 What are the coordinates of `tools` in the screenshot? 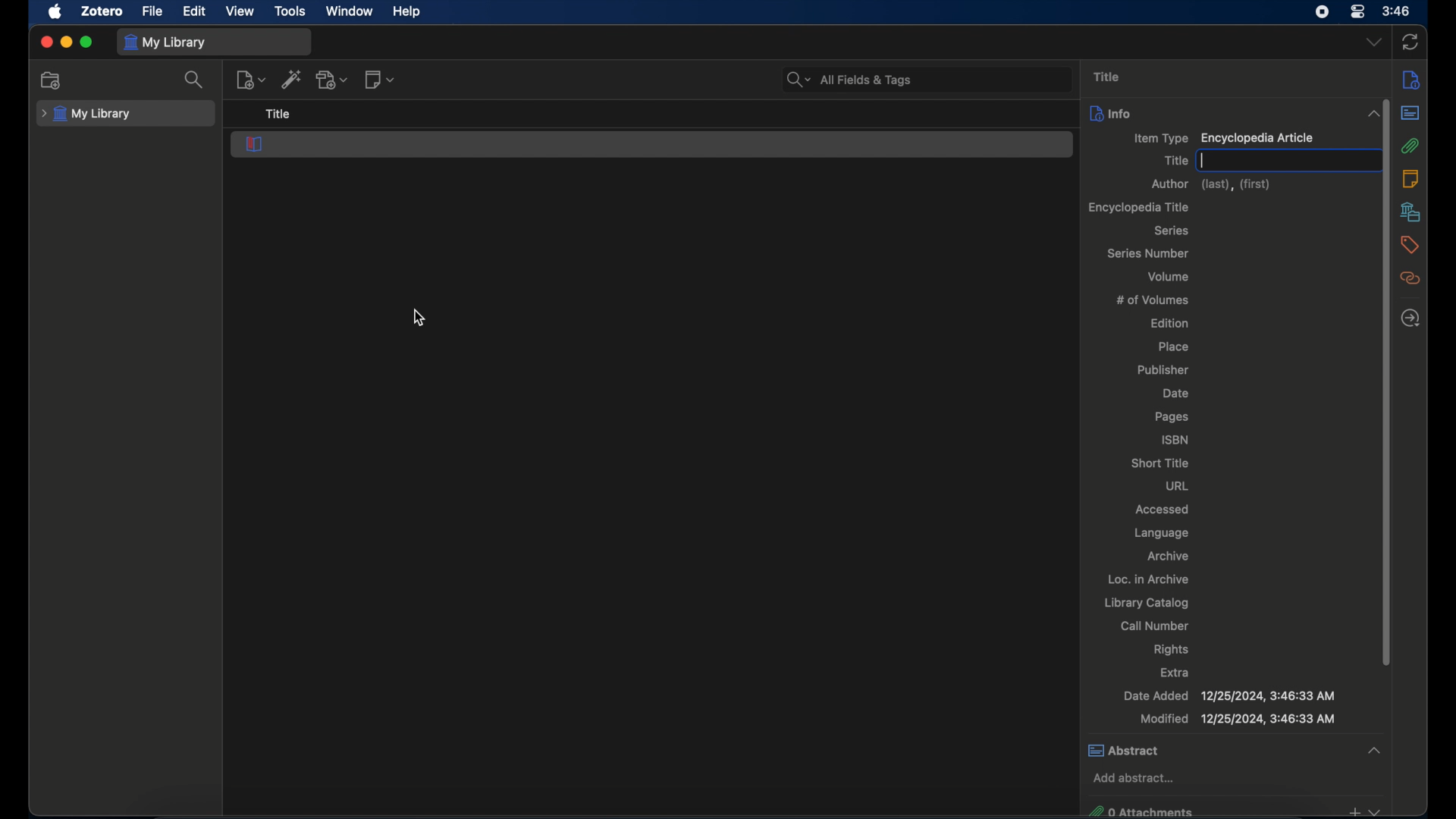 It's located at (290, 11).